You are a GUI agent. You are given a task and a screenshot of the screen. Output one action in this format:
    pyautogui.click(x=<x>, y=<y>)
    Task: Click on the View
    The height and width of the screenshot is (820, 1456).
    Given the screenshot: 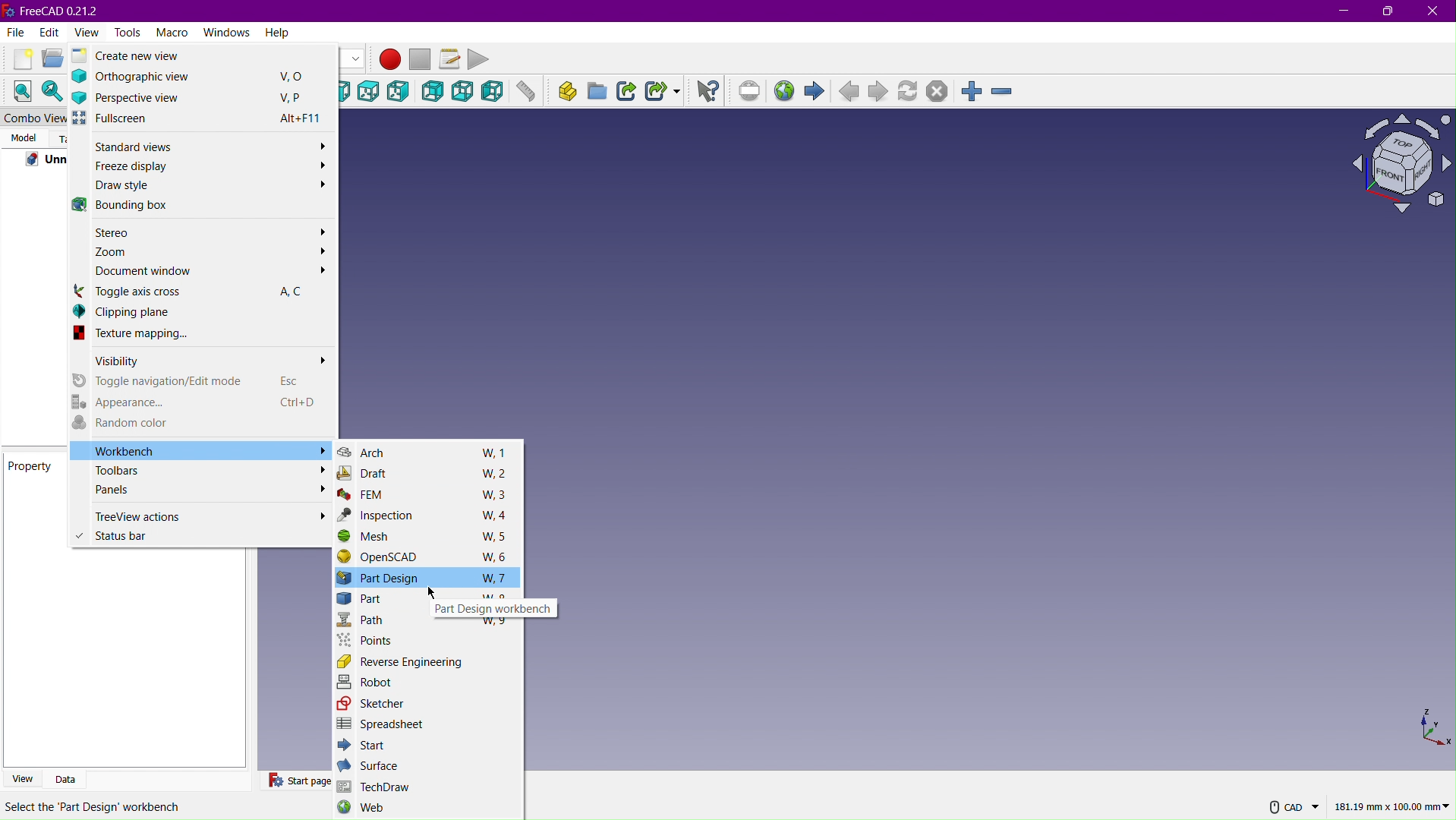 What is the action you would take?
    pyautogui.click(x=22, y=779)
    